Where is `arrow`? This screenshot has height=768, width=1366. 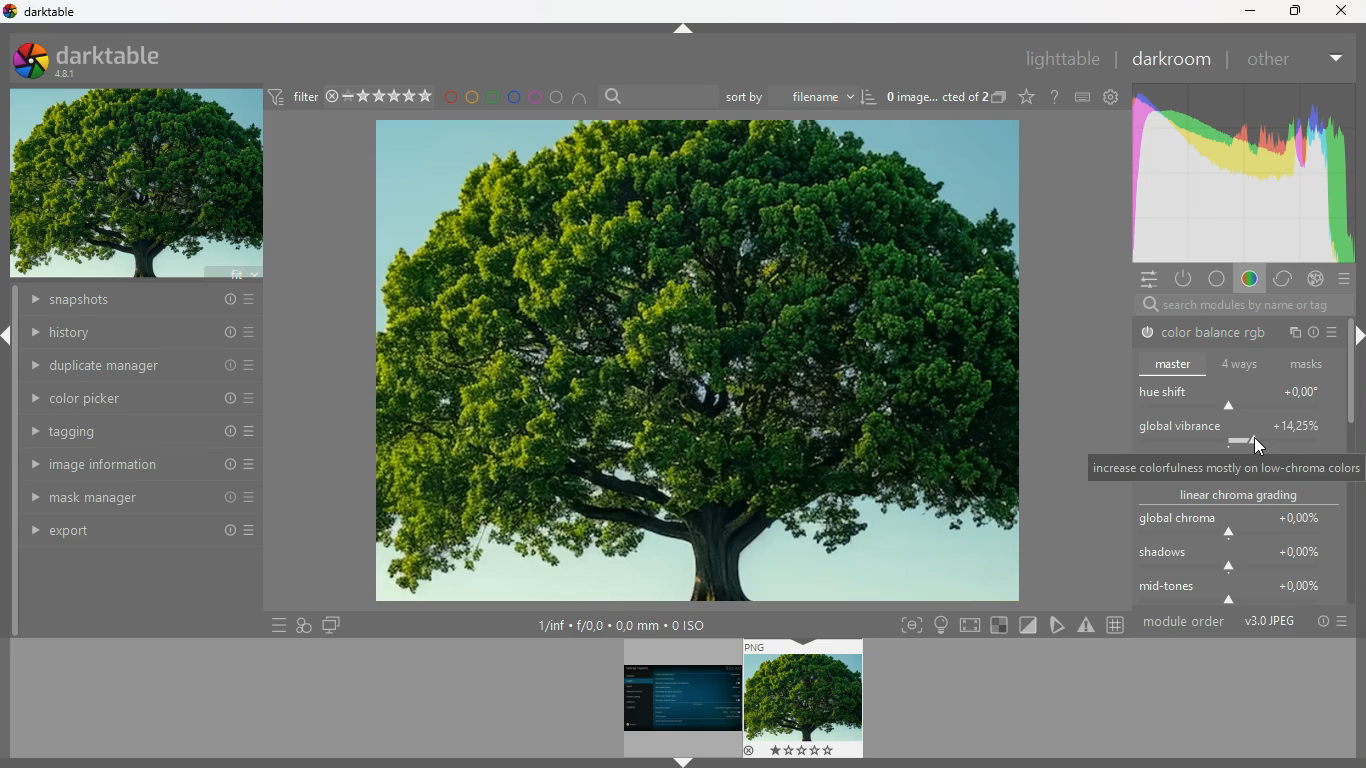 arrow is located at coordinates (684, 29).